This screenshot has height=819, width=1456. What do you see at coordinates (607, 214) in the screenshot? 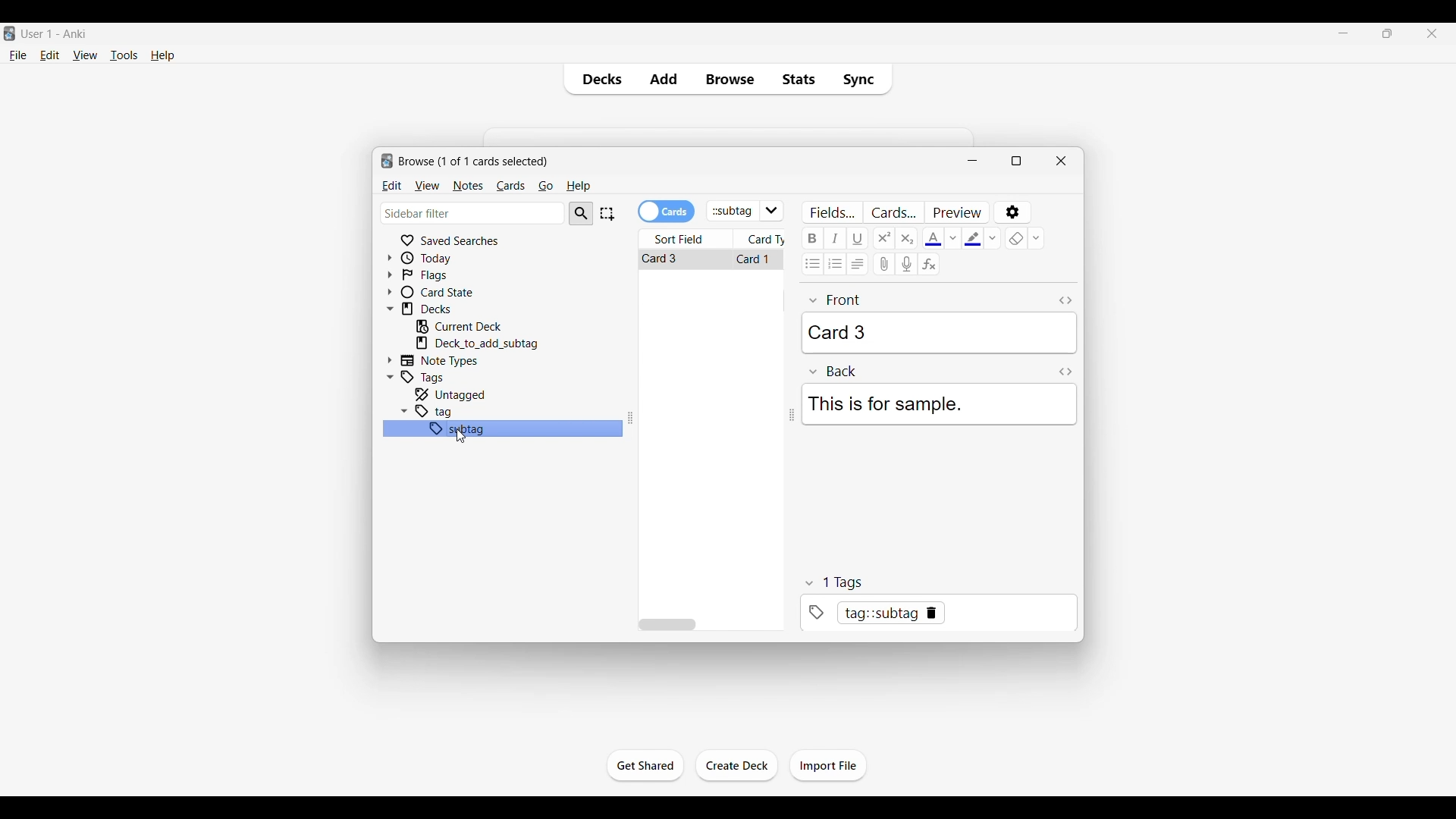
I see `Select` at bounding box center [607, 214].